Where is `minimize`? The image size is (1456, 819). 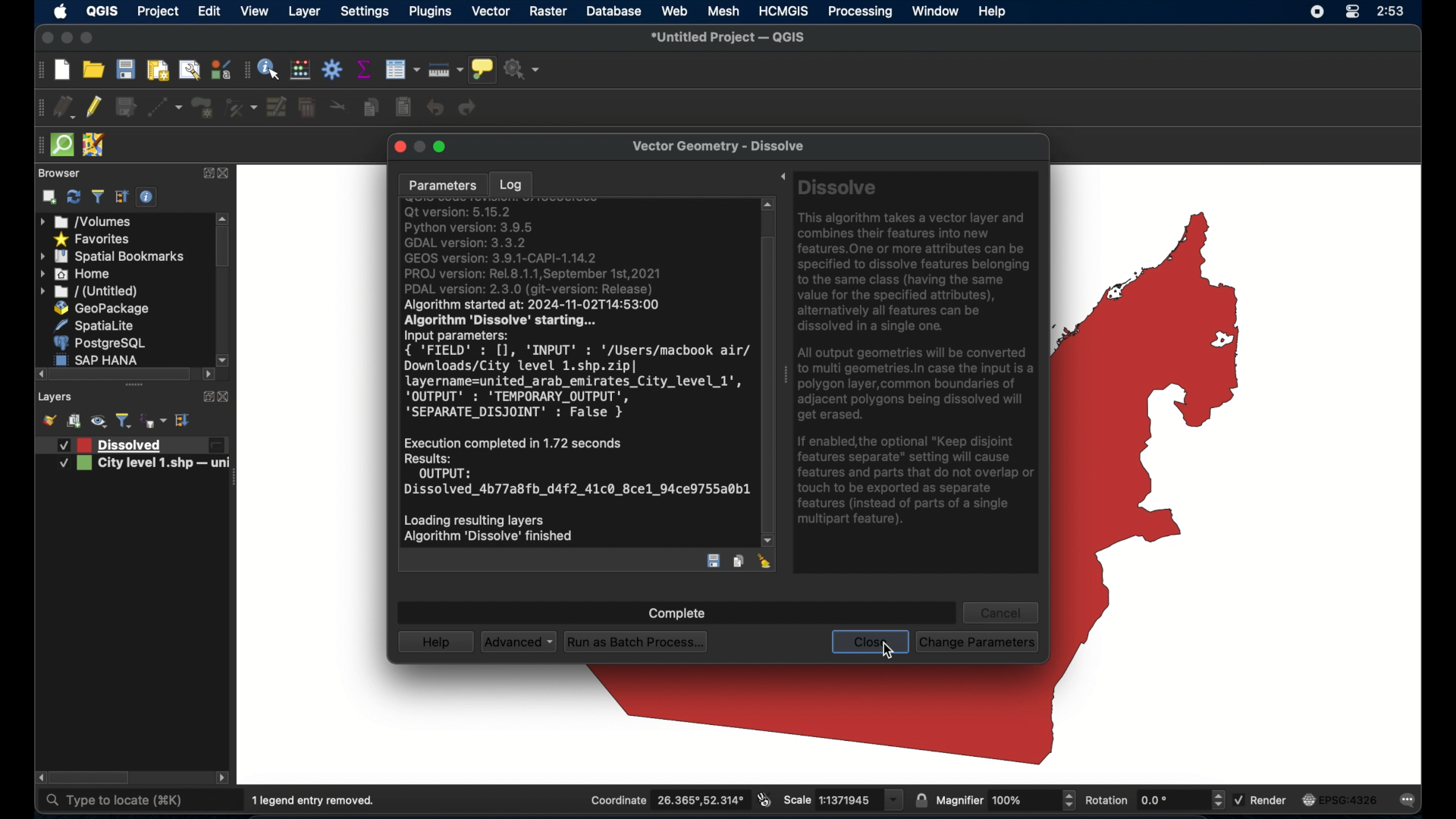
minimize is located at coordinates (65, 39).